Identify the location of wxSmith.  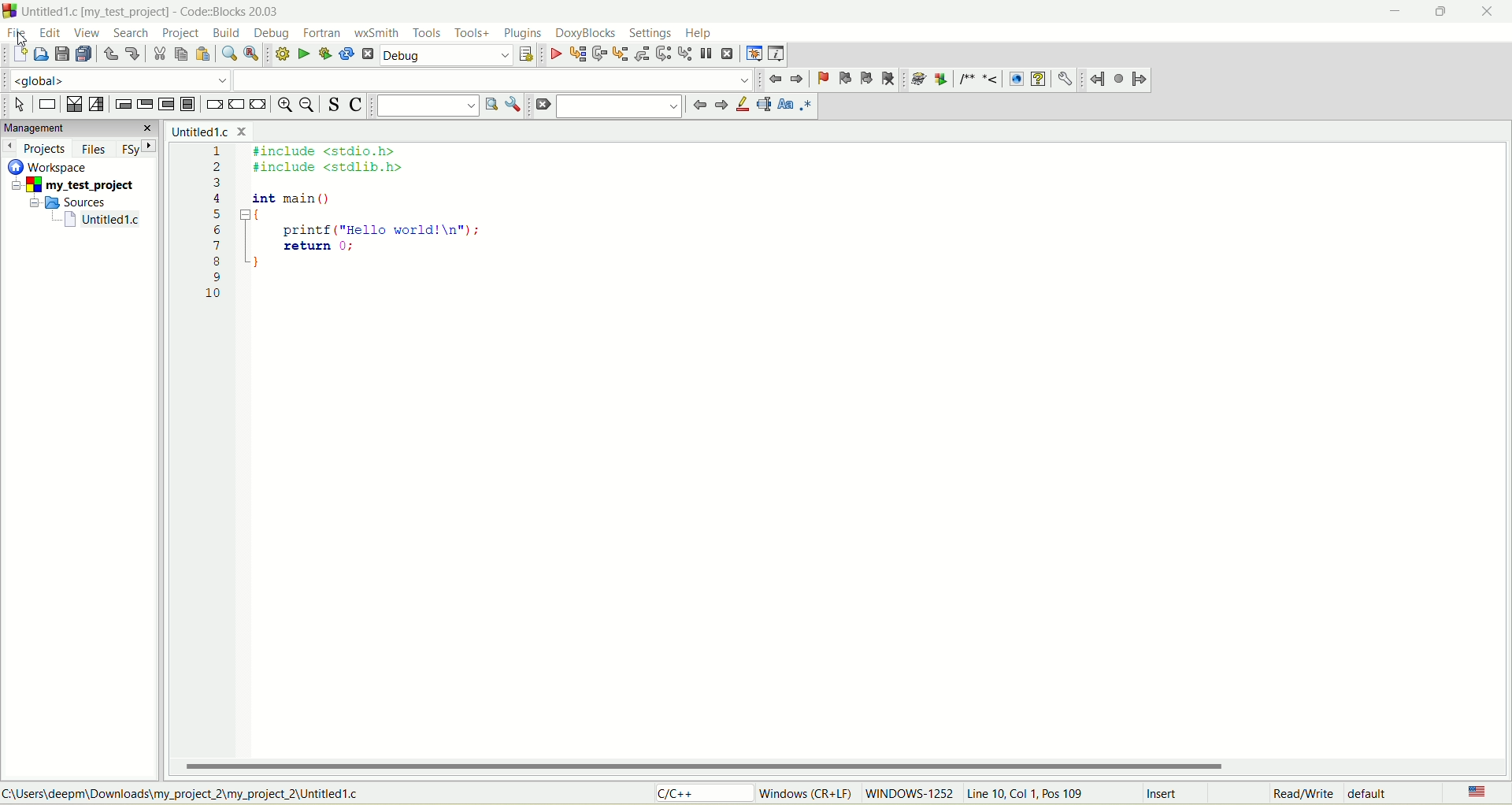
(379, 35).